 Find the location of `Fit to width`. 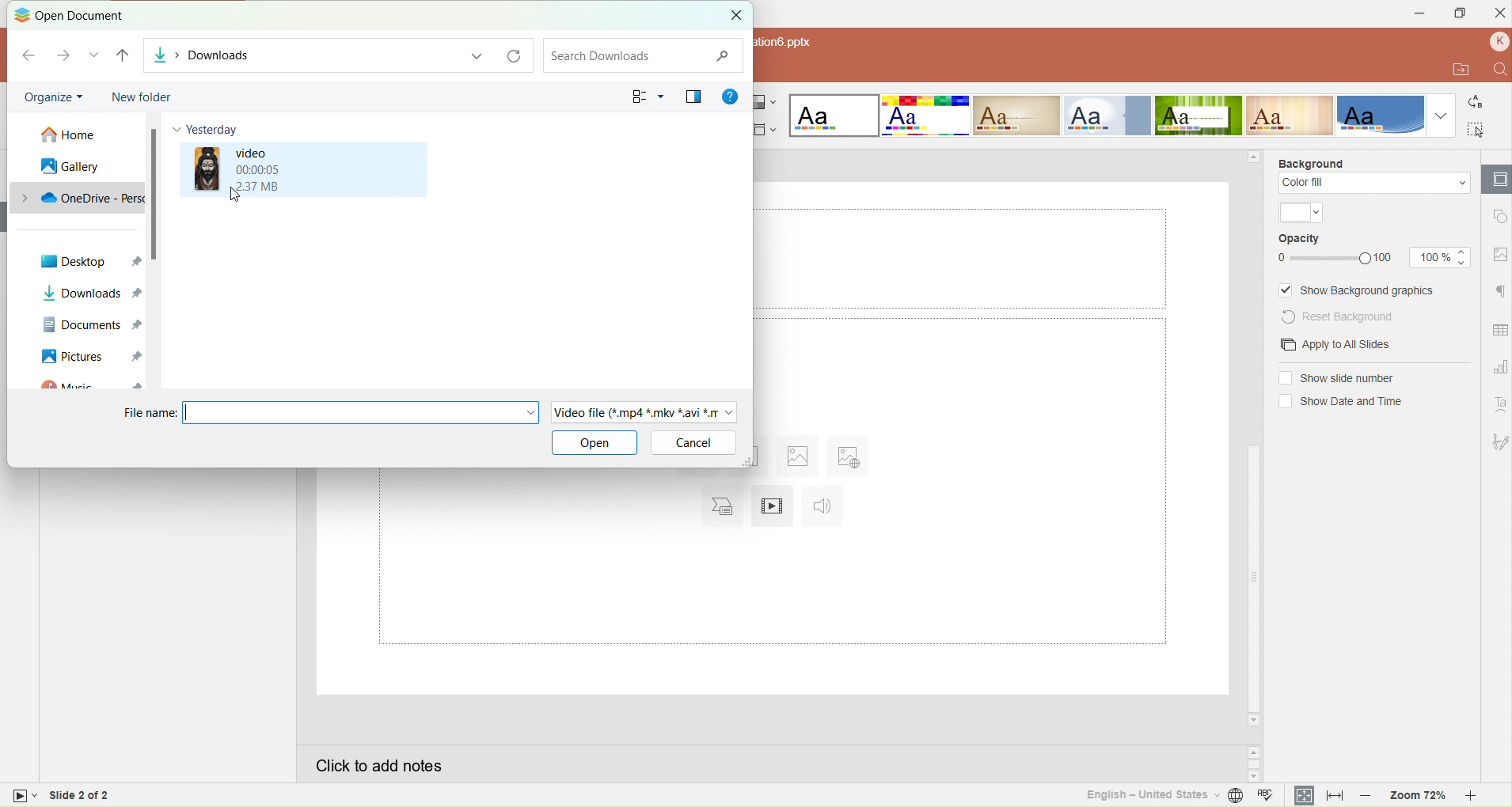

Fit to width is located at coordinates (1332, 795).